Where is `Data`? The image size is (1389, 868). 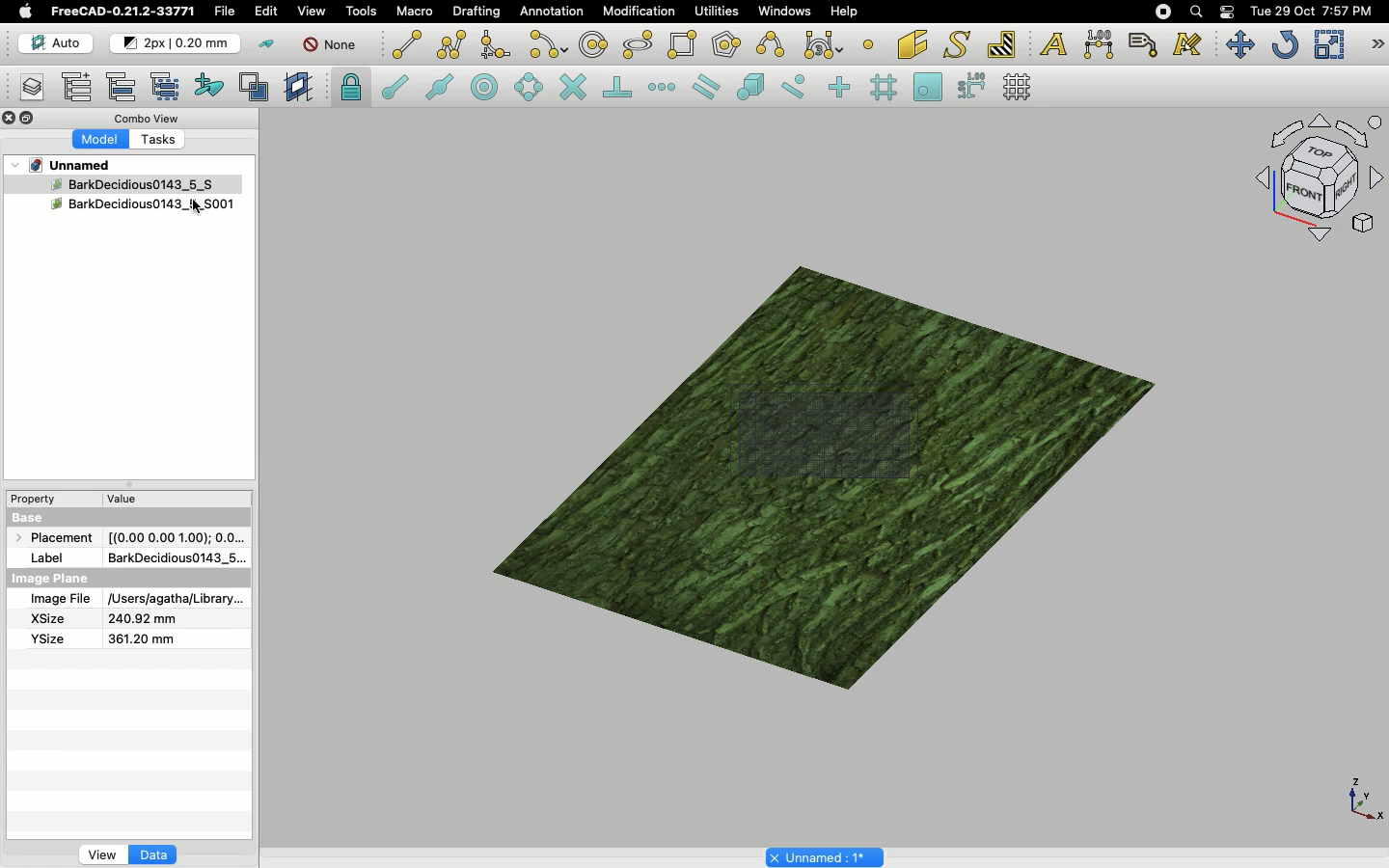
Data is located at coordinates (153, 854).